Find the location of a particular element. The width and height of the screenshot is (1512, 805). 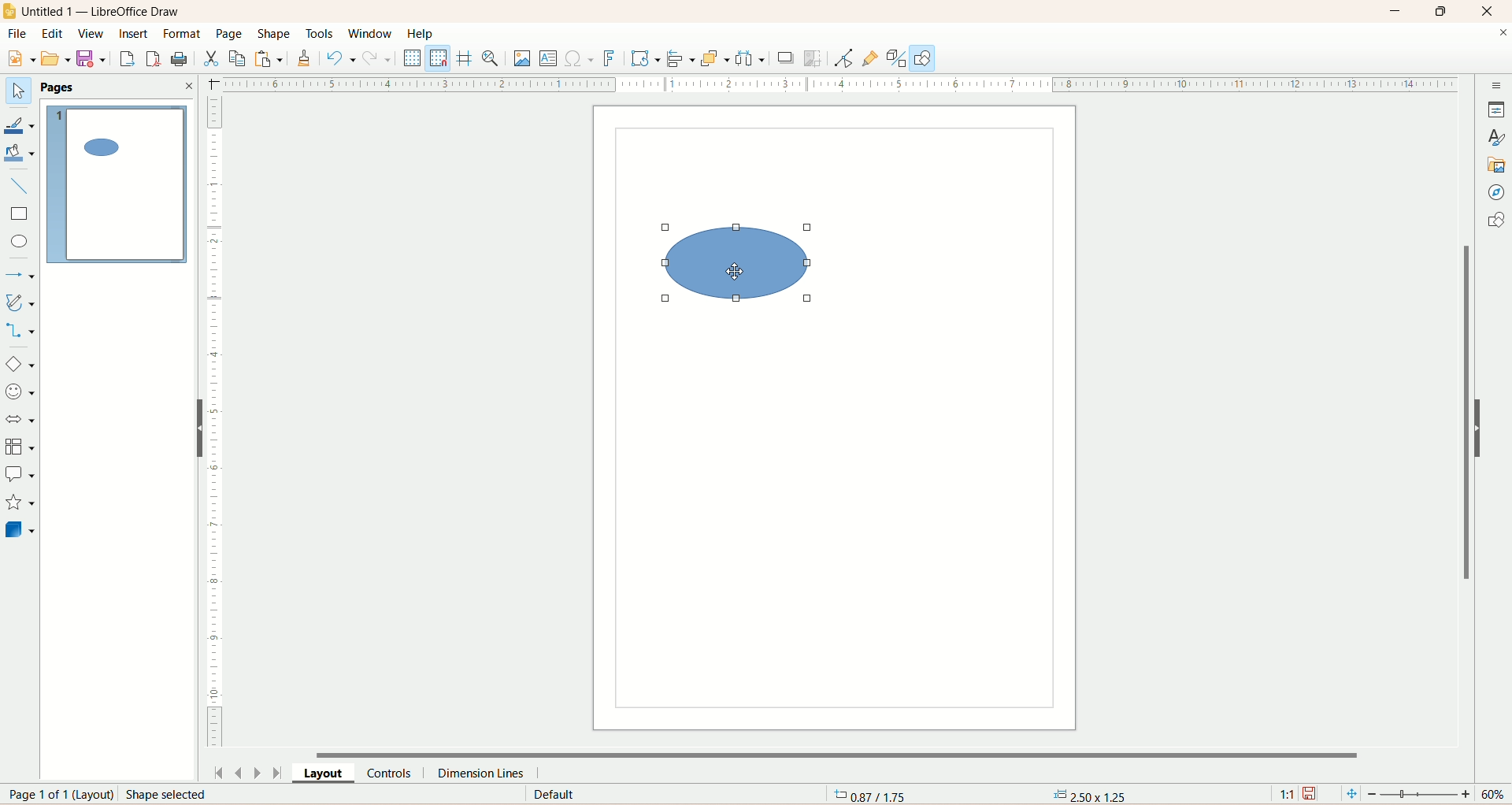

curve and polygon is located at coordinates (20, 302).